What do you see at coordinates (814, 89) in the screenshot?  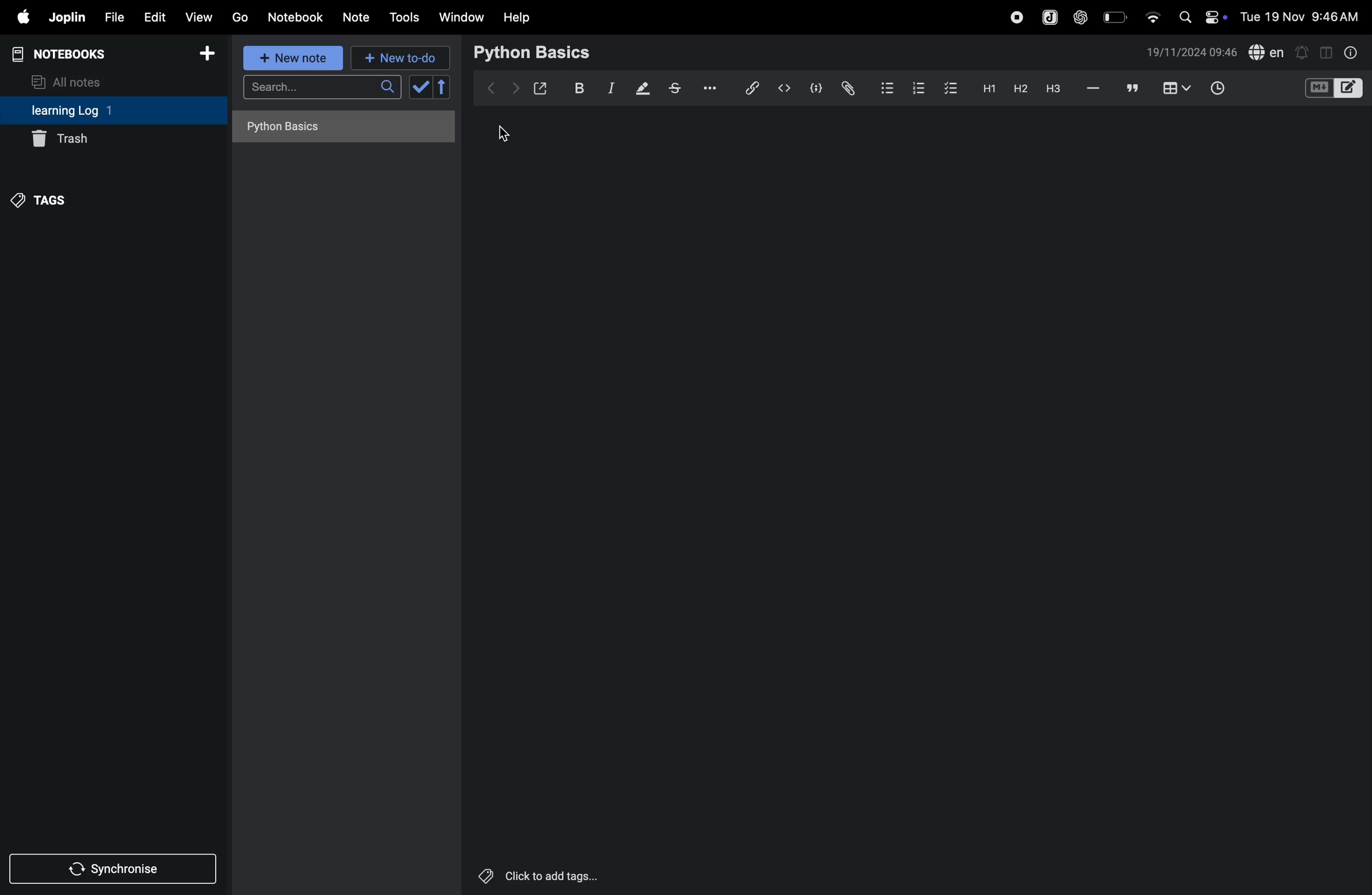 I see `code block` at bounding box center [814, 89].